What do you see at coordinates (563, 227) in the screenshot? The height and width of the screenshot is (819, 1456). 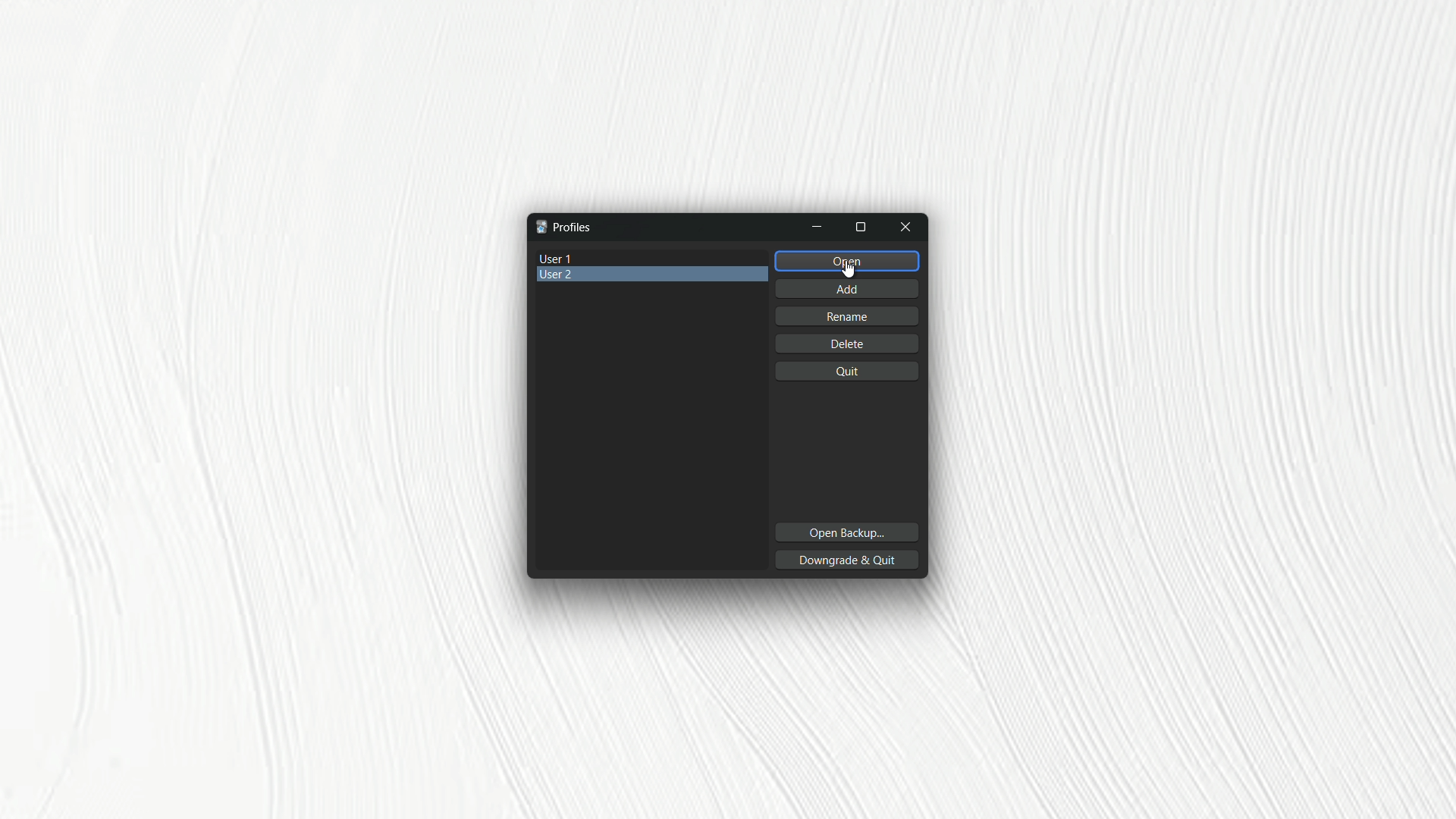 I see `Profiles` at bounding box center [563, 227].